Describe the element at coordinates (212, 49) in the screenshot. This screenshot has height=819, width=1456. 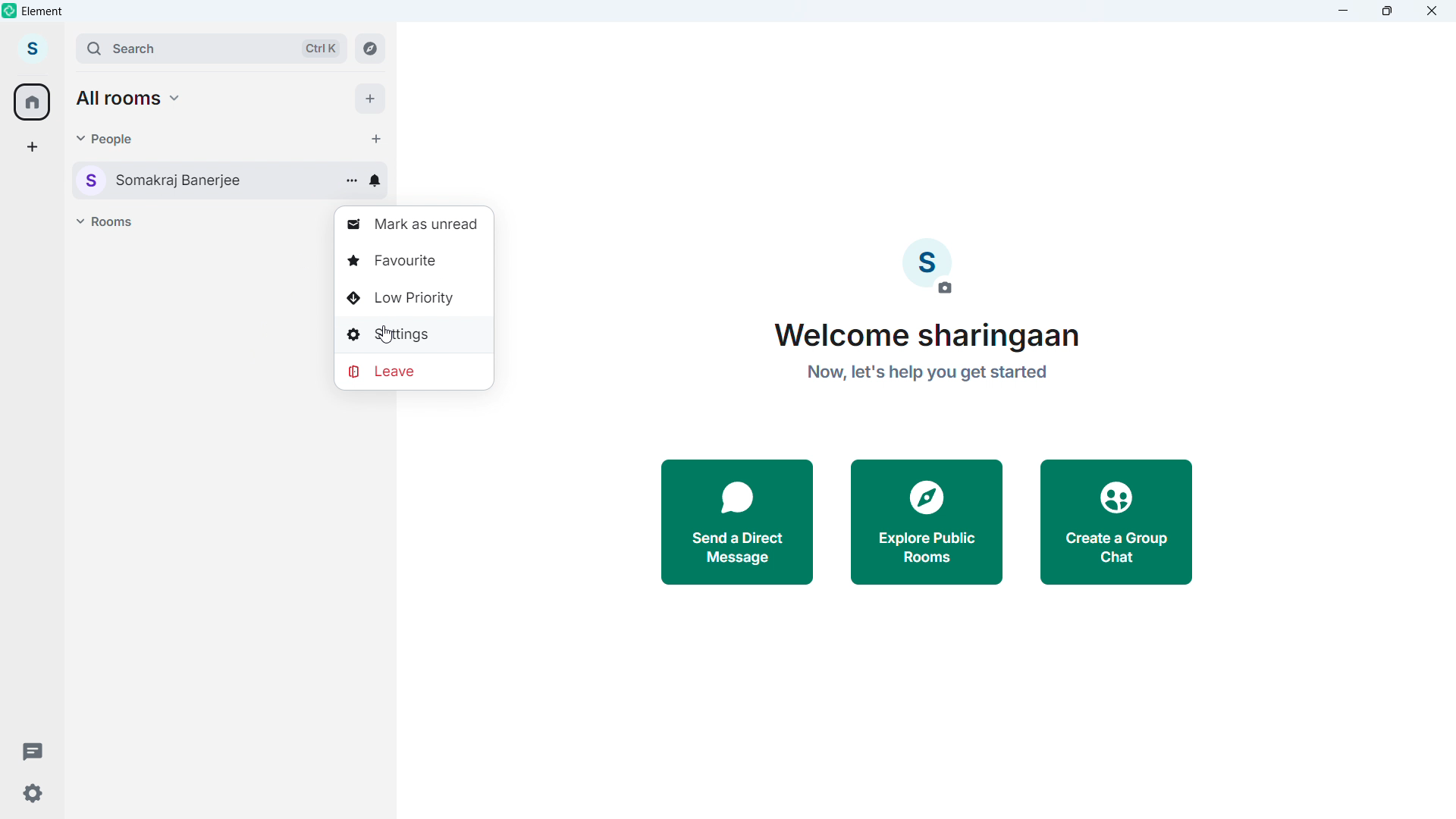
I see `search` at that location.